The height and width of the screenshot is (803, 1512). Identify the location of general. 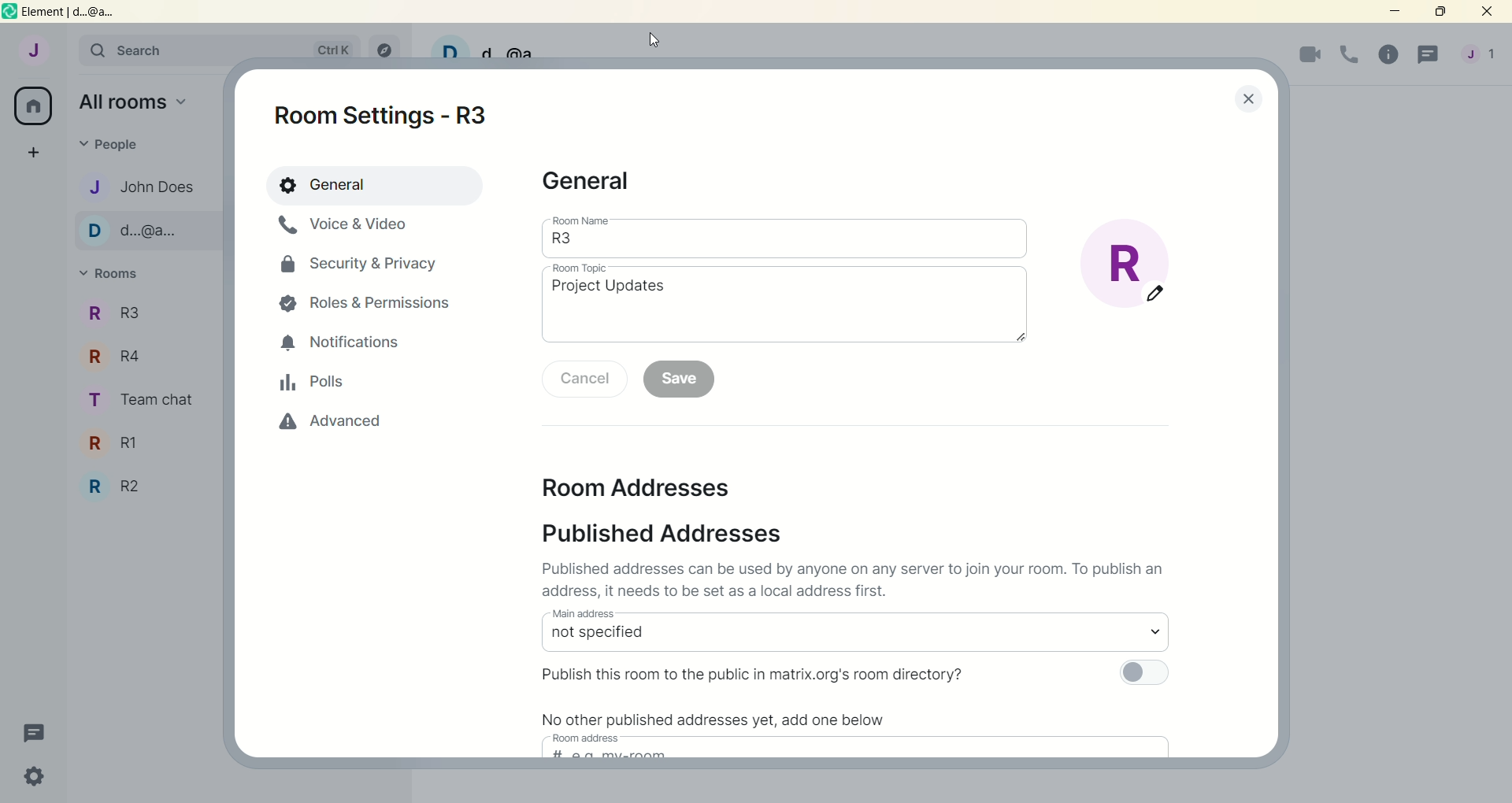
(588, 182).